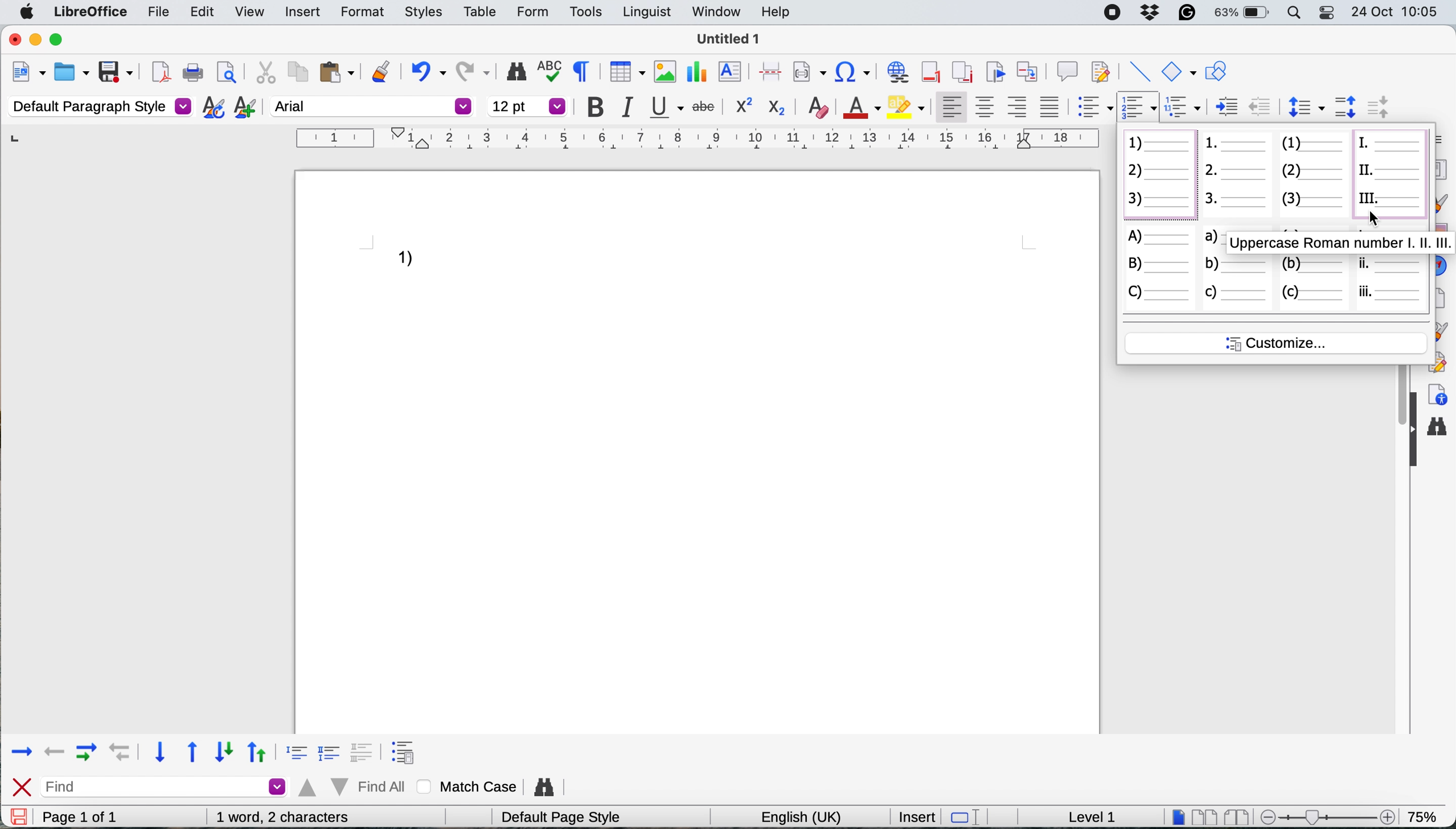 Image resolution: width=1456 pixels, height=829 pixels. Describe the element at coordinates (86, 751) in the screenshot. I see `forward with indent` at that location.